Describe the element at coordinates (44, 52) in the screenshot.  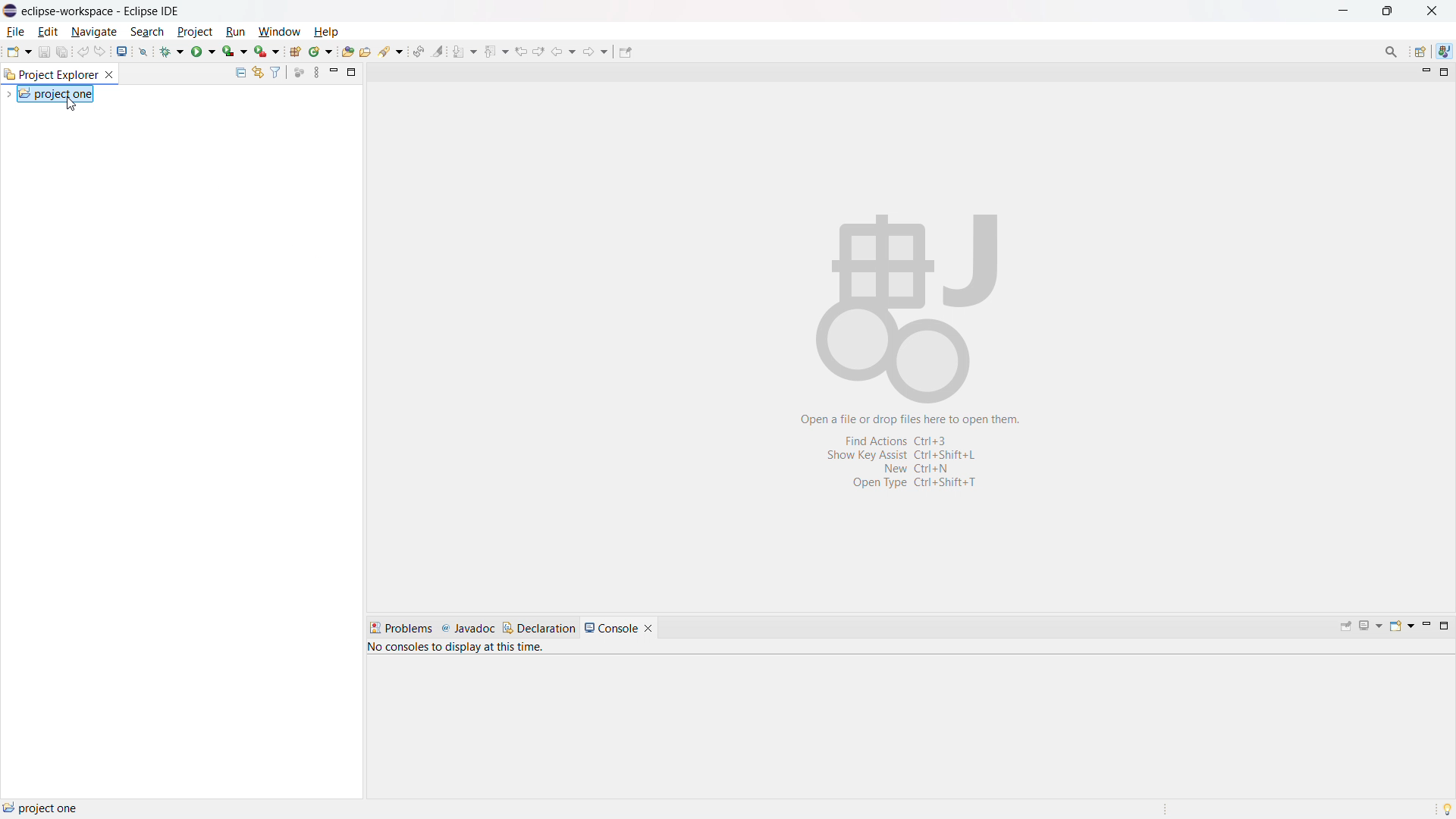
I see `save` at that location.